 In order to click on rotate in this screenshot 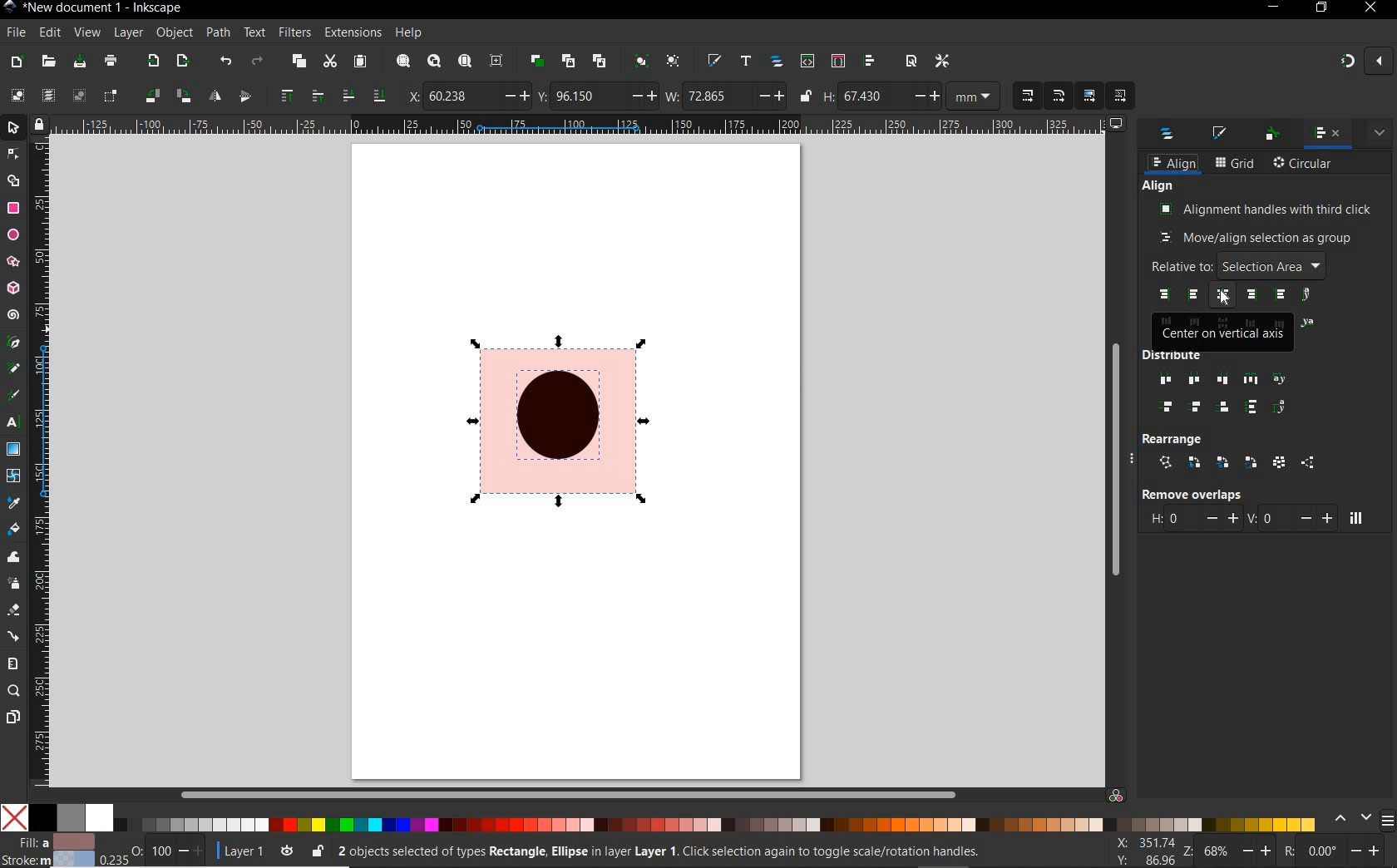, I will do `click(1339, 852)`.